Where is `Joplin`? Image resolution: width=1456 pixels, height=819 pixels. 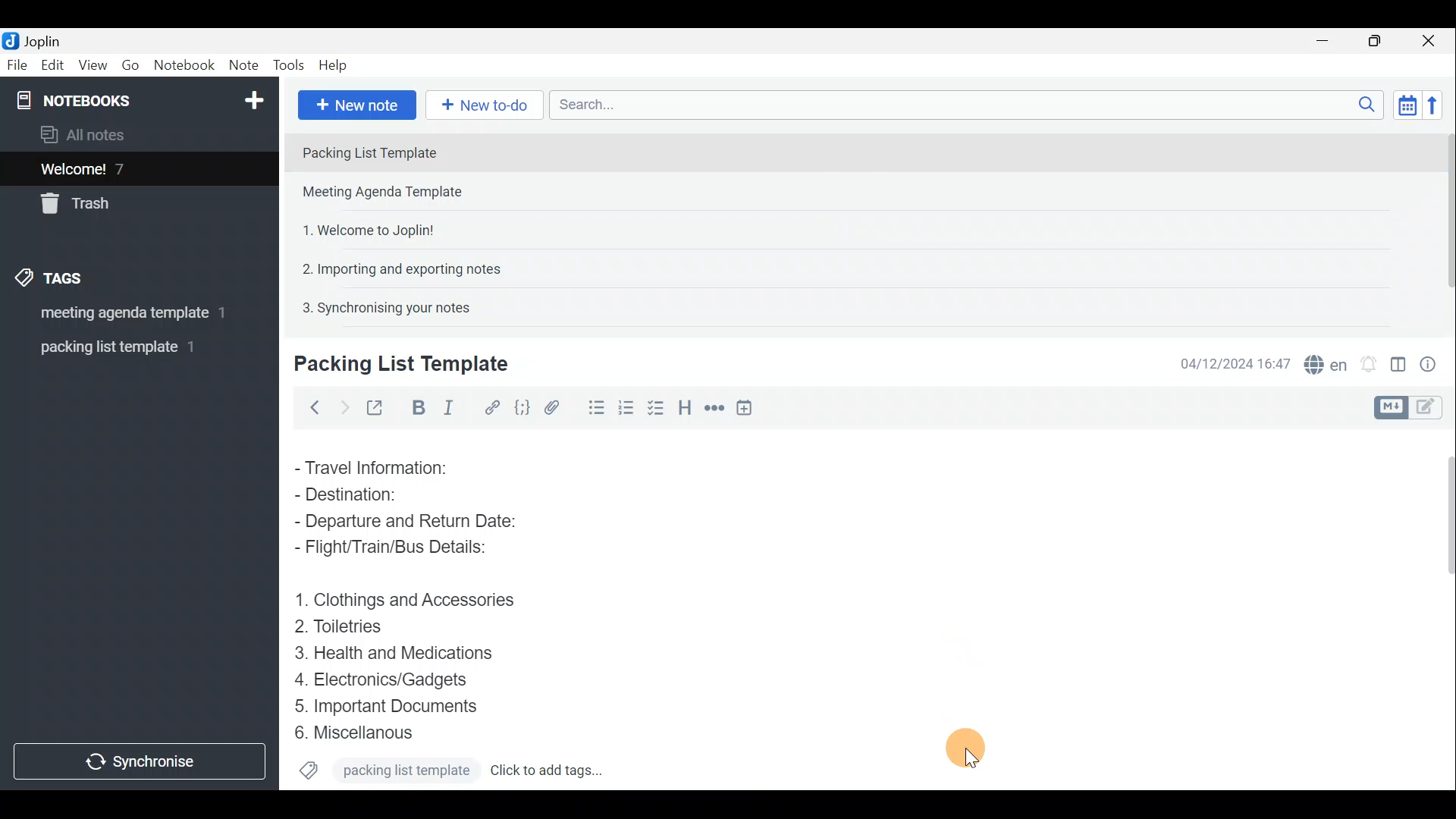 Joplin is located at coordinates (36, 40).